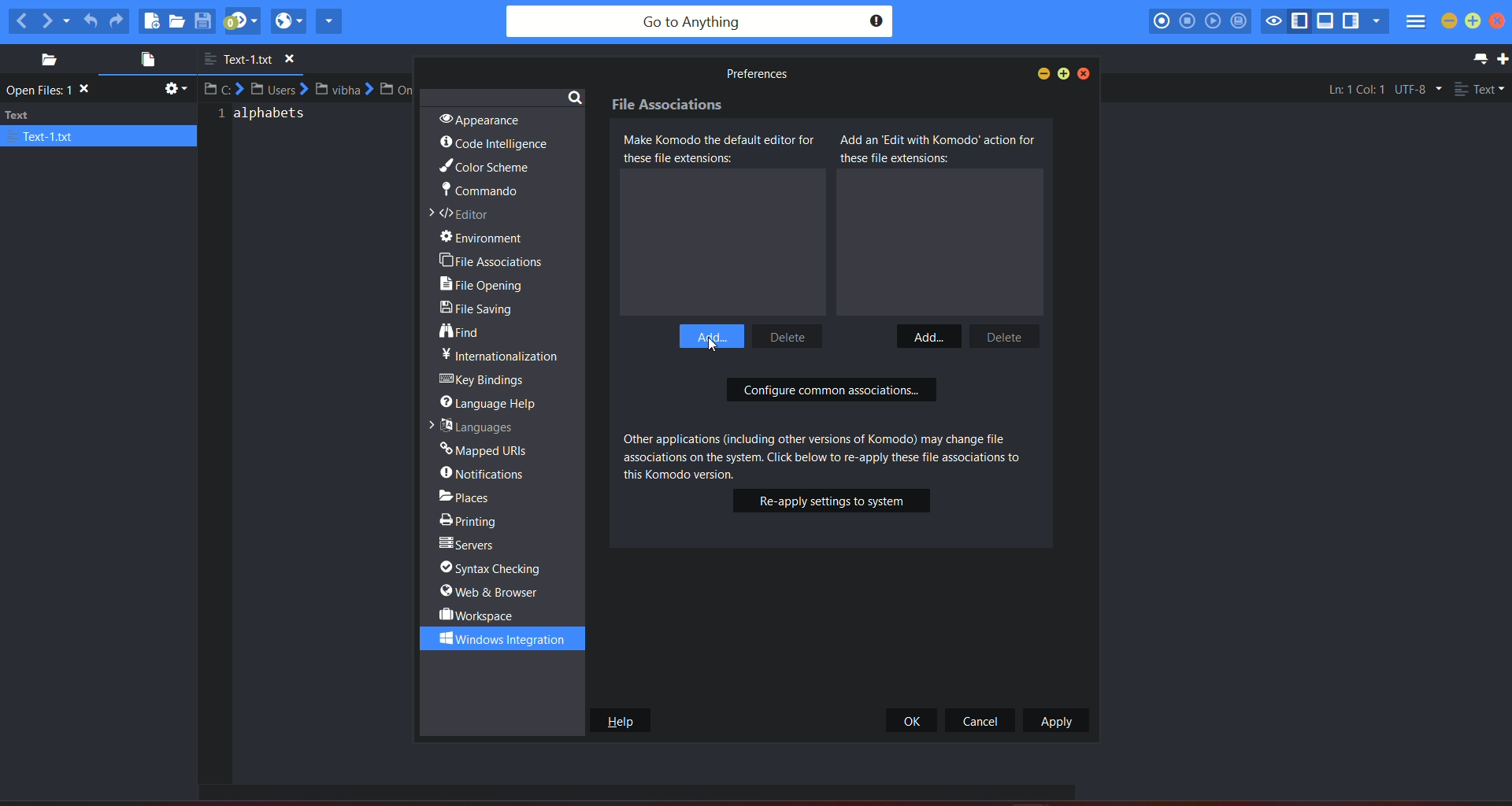  Describe the element at coordinates (469, 545) in the screenshot. I see `servers` at that location.